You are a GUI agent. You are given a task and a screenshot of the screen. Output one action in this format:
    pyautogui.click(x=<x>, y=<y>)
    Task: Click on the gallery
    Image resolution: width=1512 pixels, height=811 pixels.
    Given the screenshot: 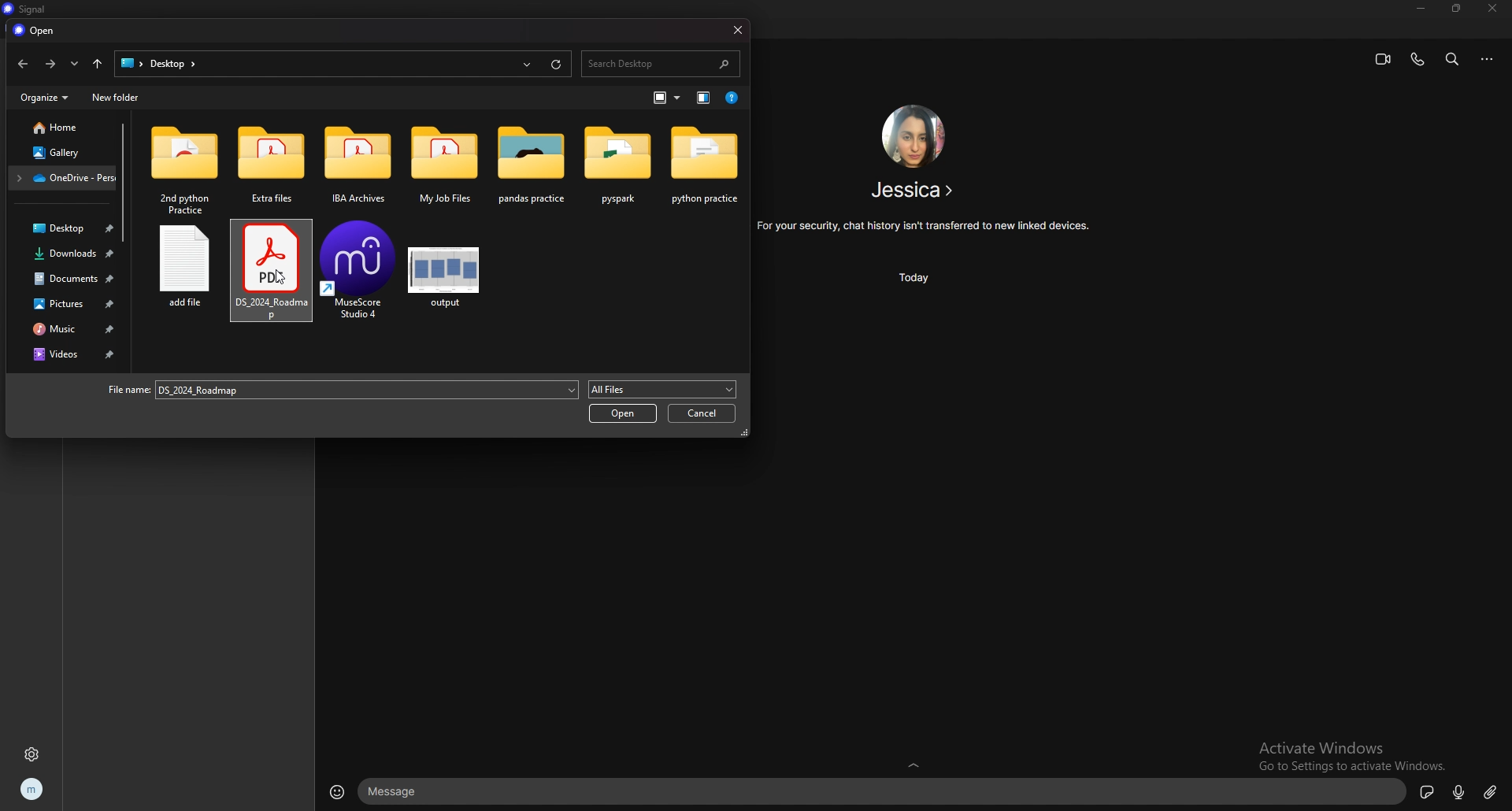 What is the action you would take?
    pyautogui.click(x=61, y=154)
    